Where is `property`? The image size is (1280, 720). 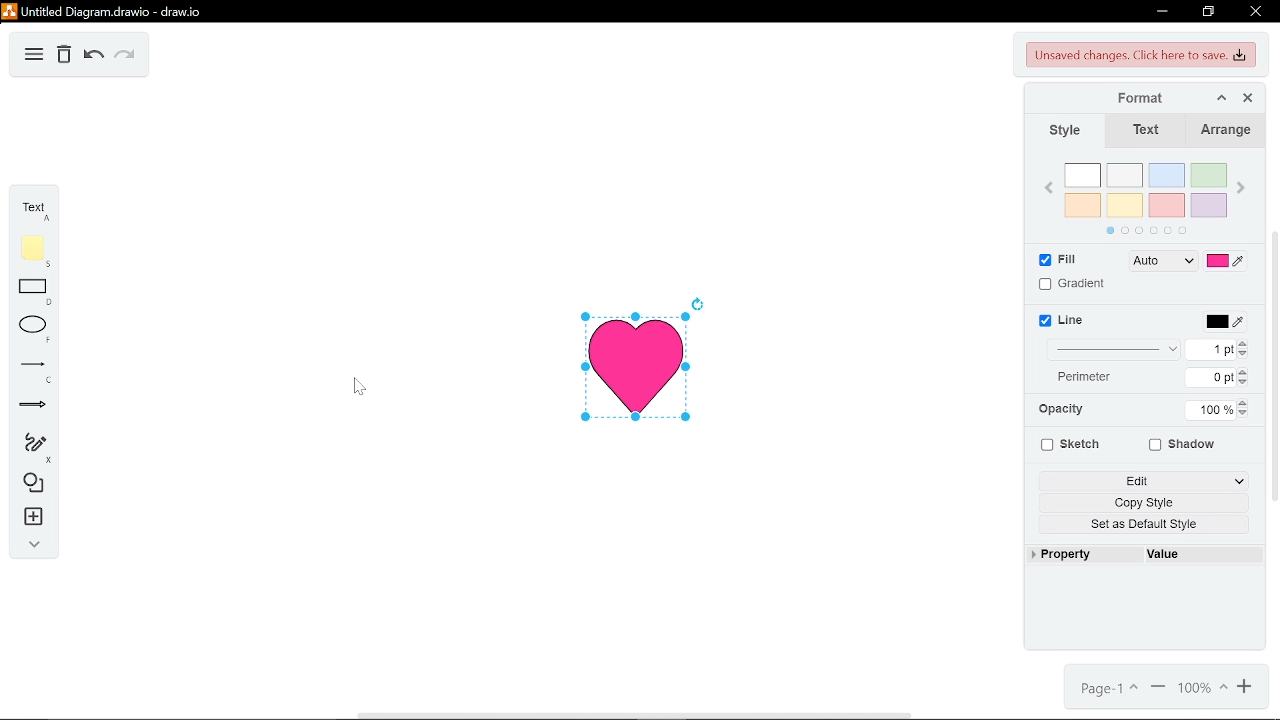 property is located at coordinates (1070, 555).